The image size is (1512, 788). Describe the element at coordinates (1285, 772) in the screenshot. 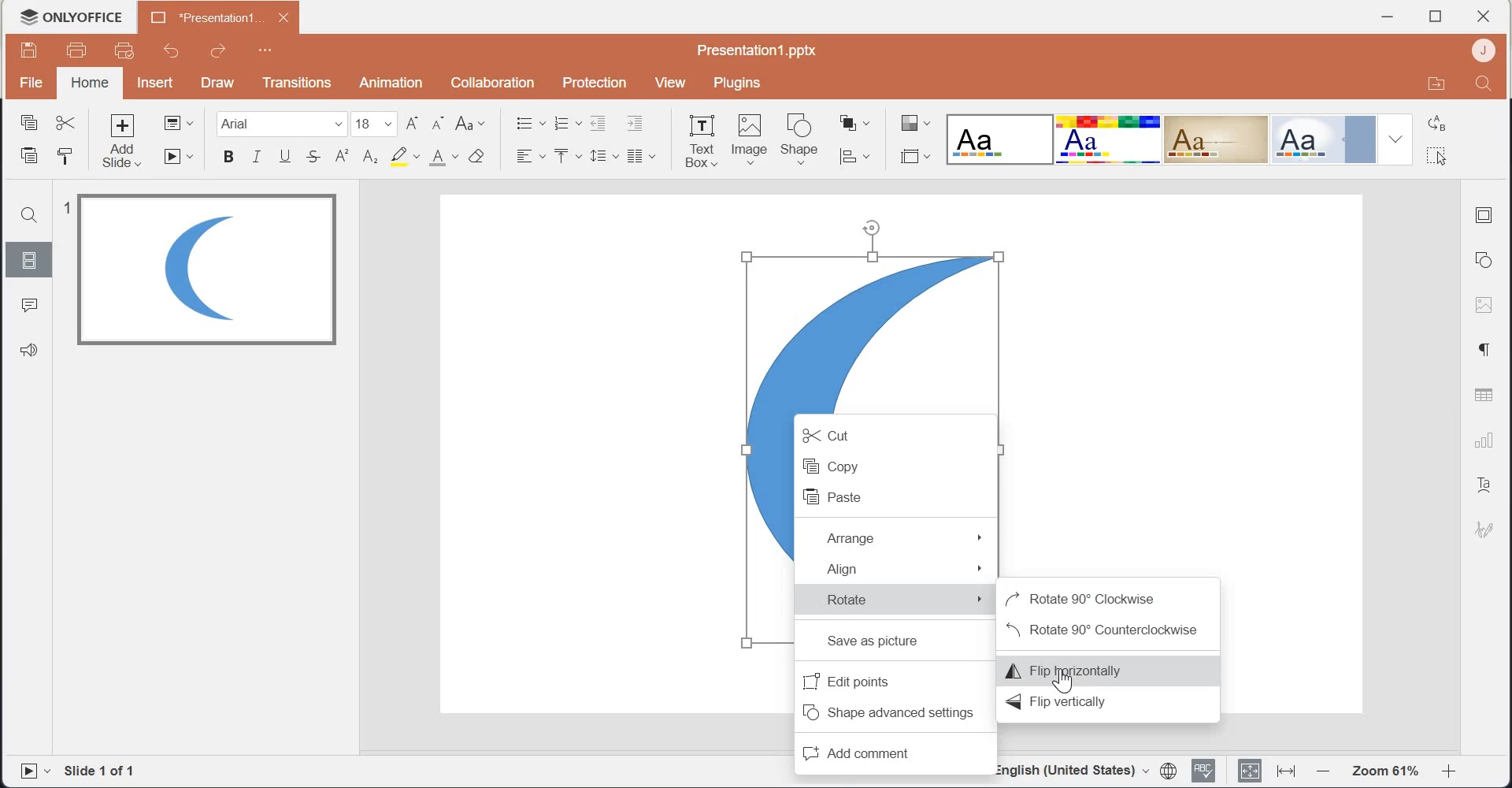

I see `Fit to width` at that location.